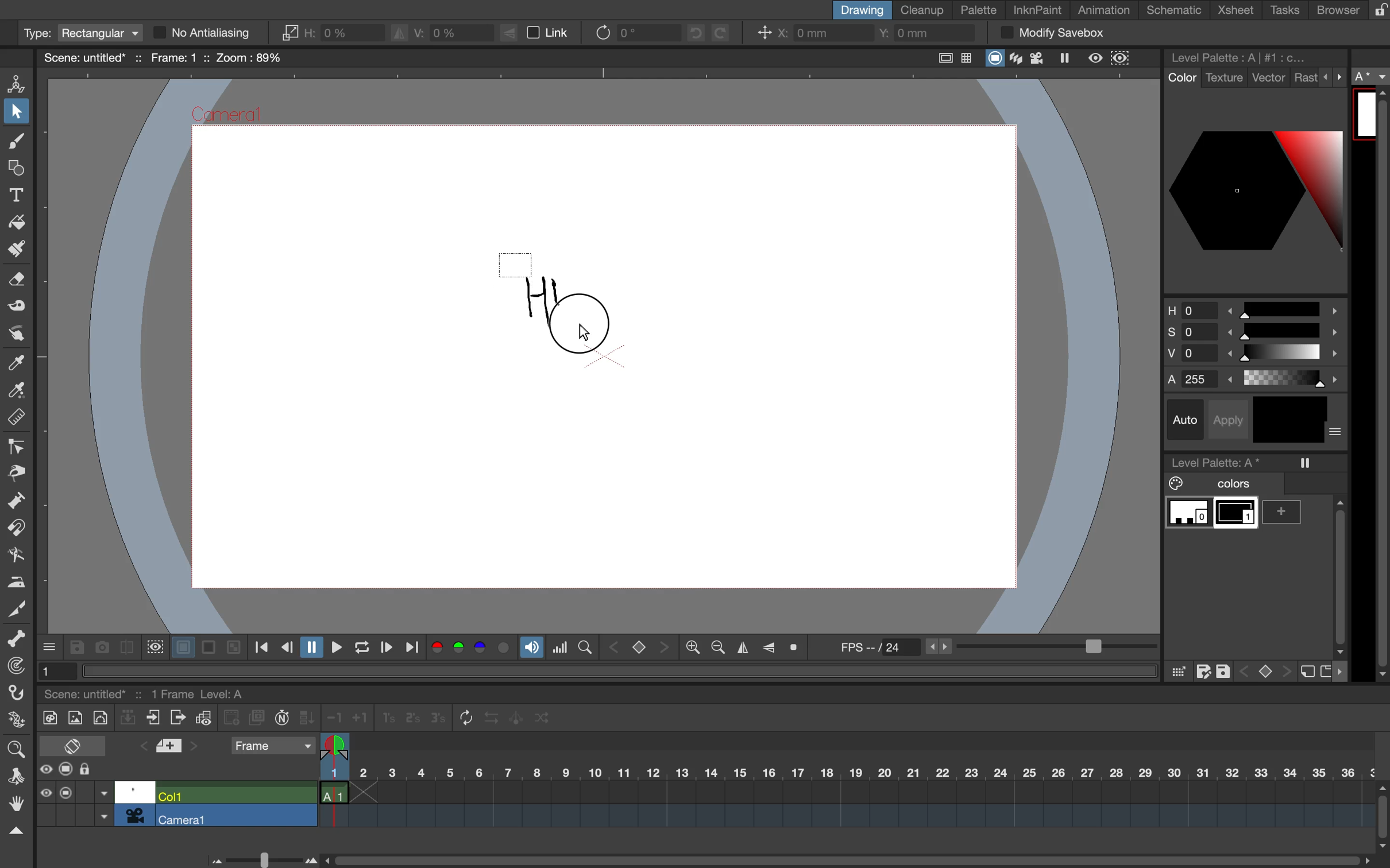 This screenshot has height=868, width=1390. I want to click on camera stand view, so click(993, 59).